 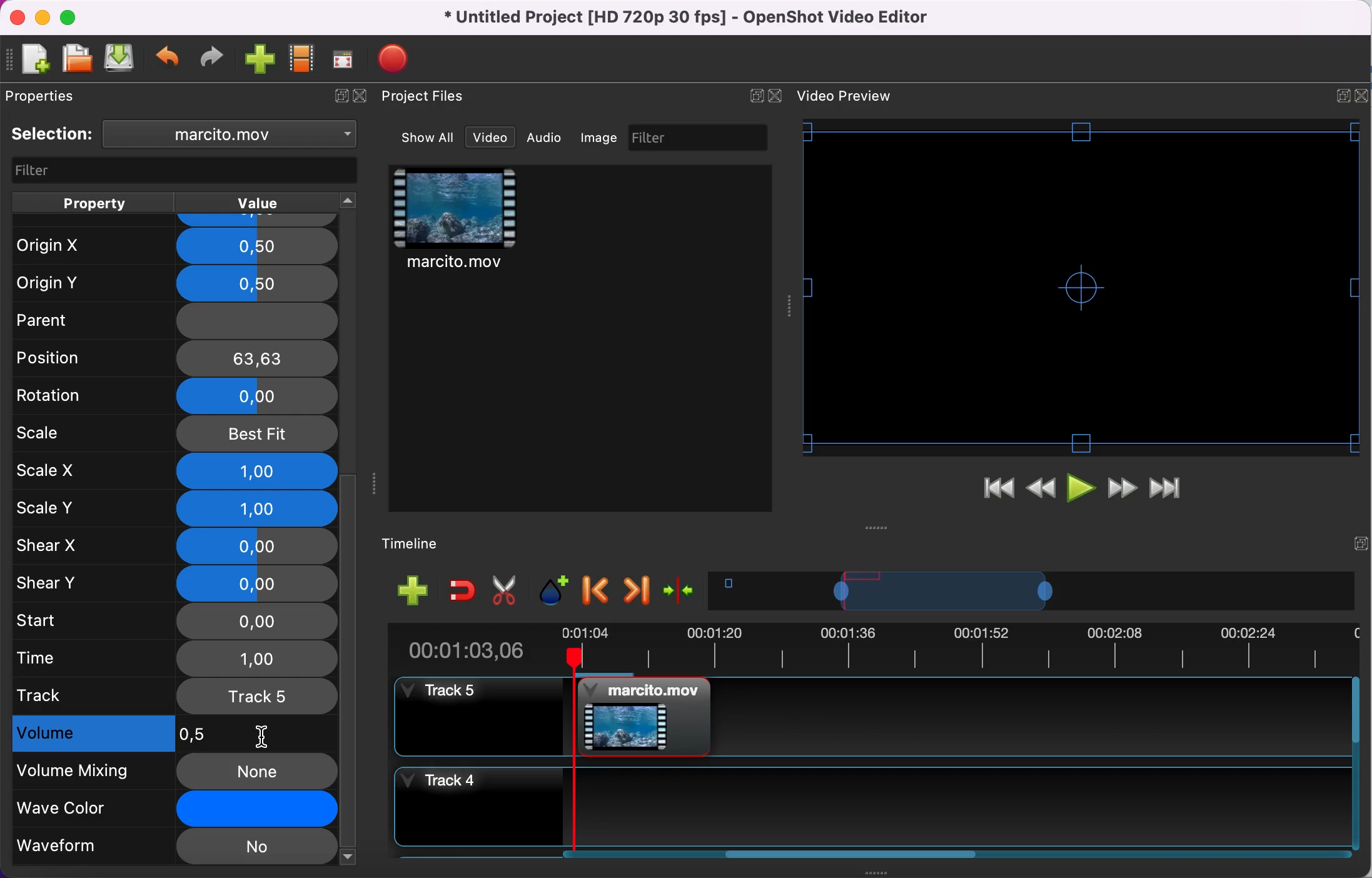 I want to click on property, so click(x=93, y=203).